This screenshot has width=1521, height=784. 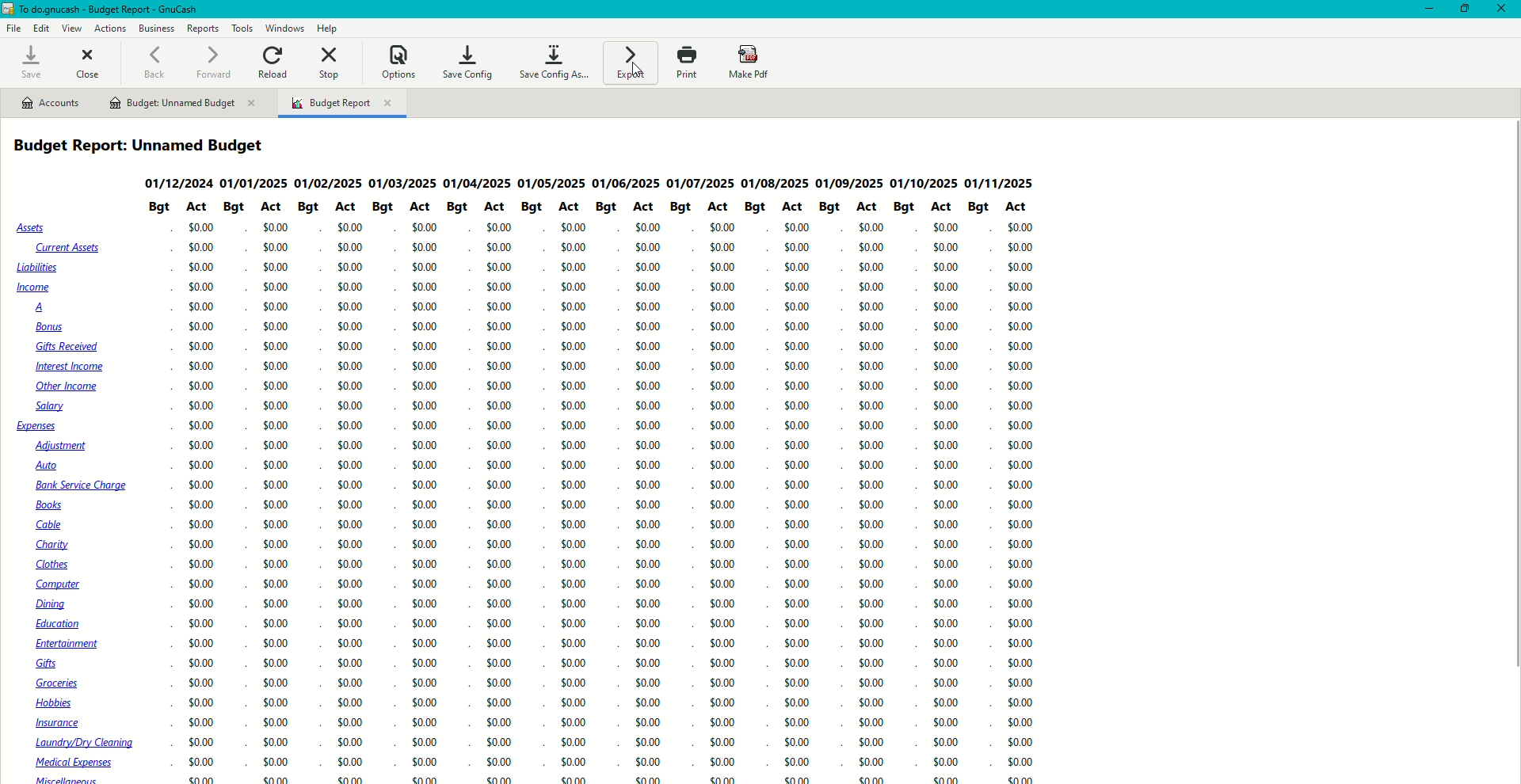 I want to click on $0.00, so click(x=279, y=605).